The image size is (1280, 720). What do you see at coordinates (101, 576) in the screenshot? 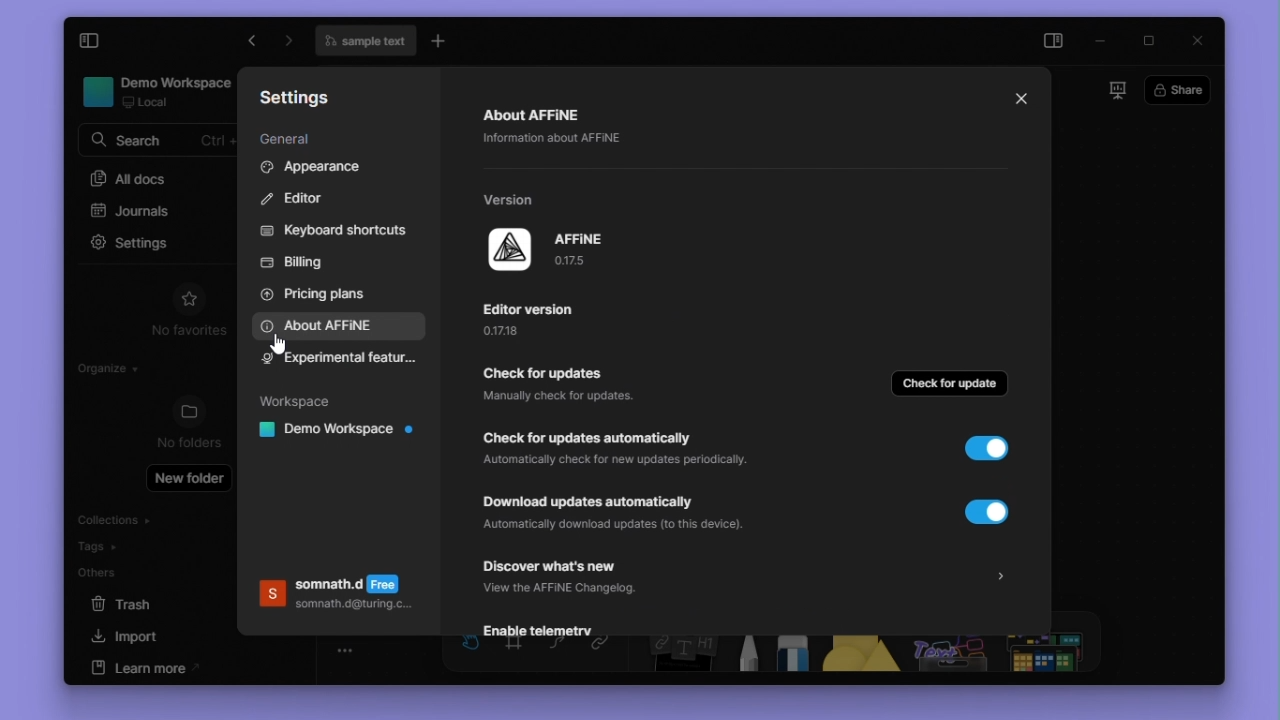
I see `others` at bounding box center [101, 576].